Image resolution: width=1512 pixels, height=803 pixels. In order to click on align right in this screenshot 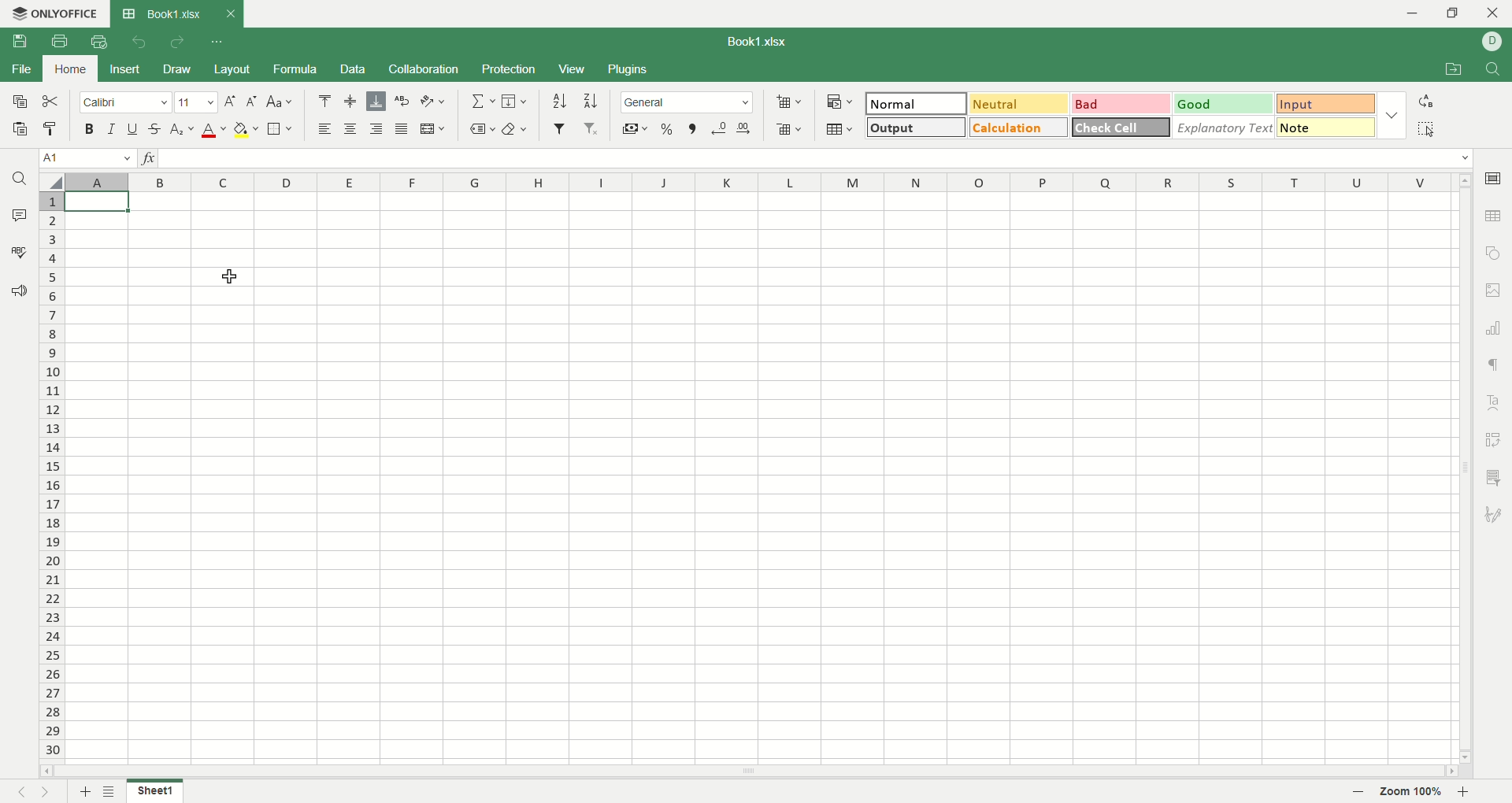, I will do `click(379, 130)`.